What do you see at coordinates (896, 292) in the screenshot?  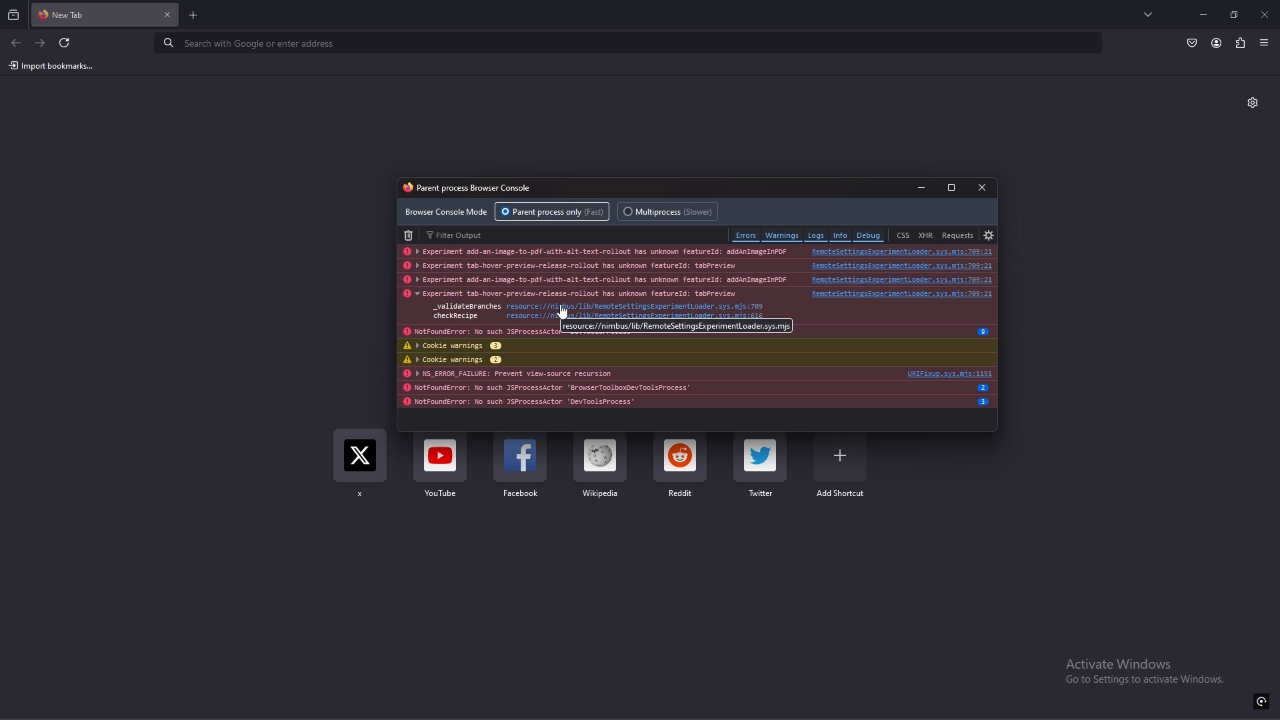 I see `source` at bounding box center [896, 292].